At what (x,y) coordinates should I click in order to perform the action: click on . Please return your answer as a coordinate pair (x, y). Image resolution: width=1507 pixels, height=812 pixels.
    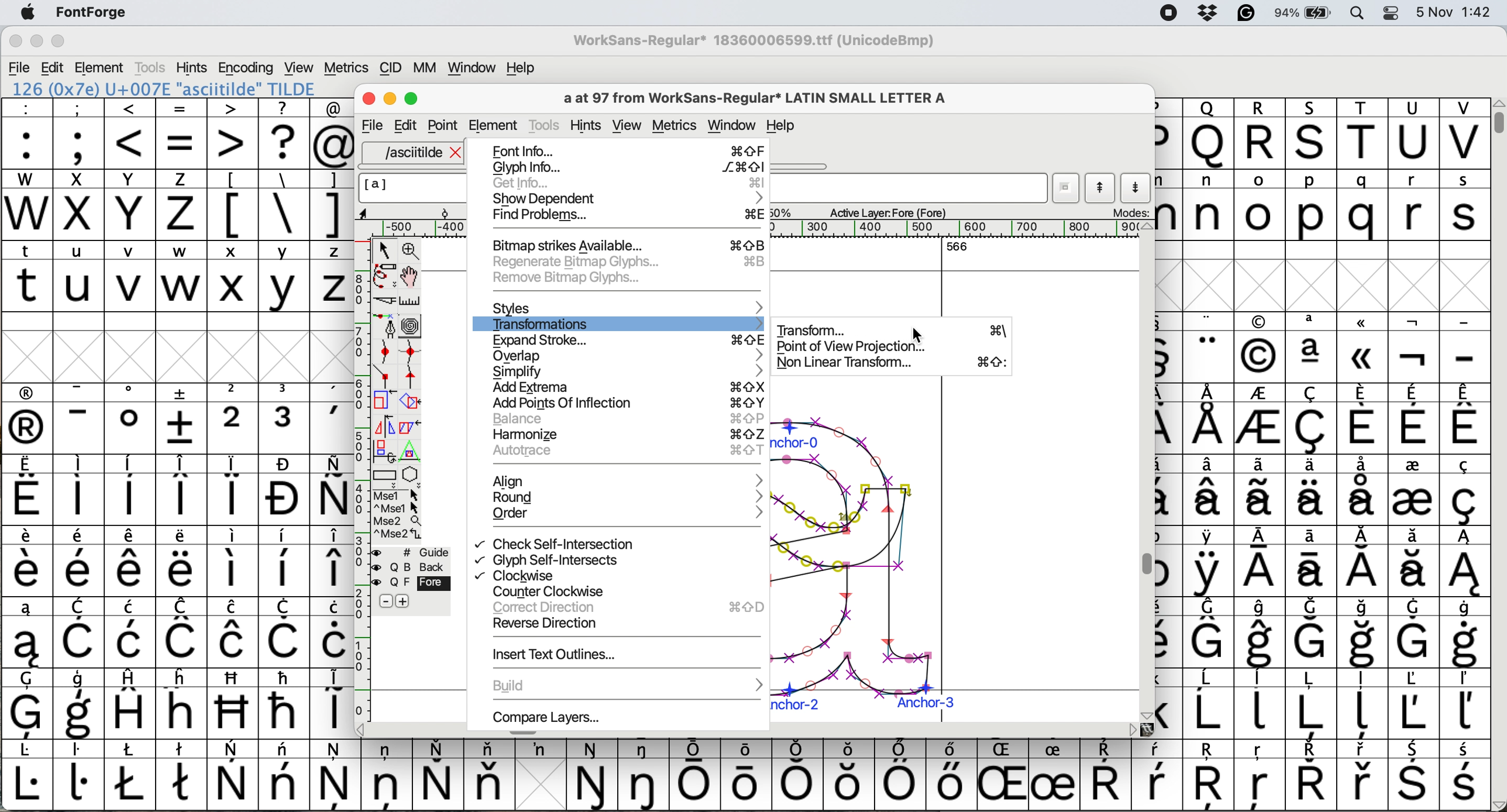
    Looking at the image, I should click on (1211, 776).